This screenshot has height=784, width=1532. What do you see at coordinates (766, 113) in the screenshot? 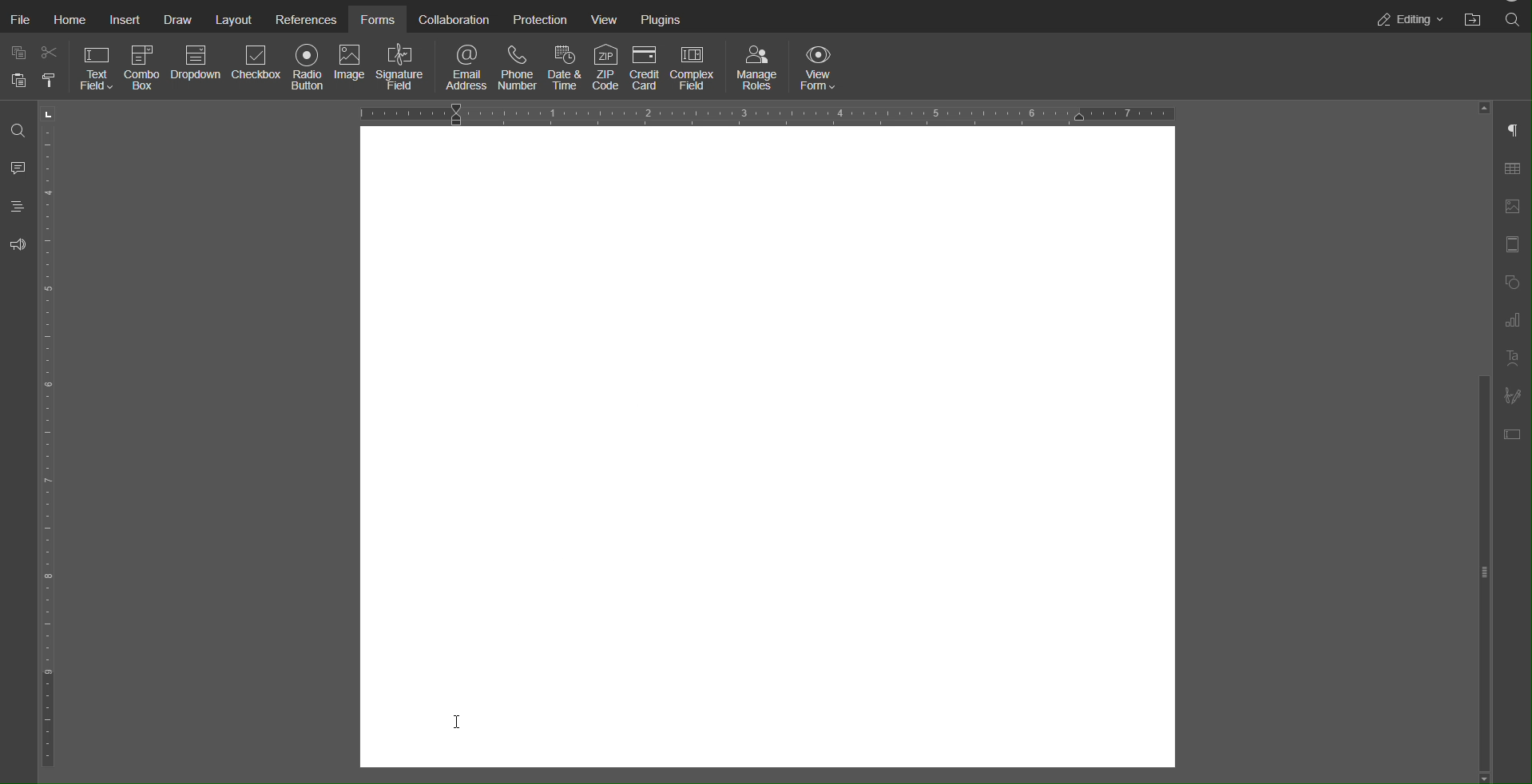
I see `Horizontal Ruler` at bounding box center [766, 113].